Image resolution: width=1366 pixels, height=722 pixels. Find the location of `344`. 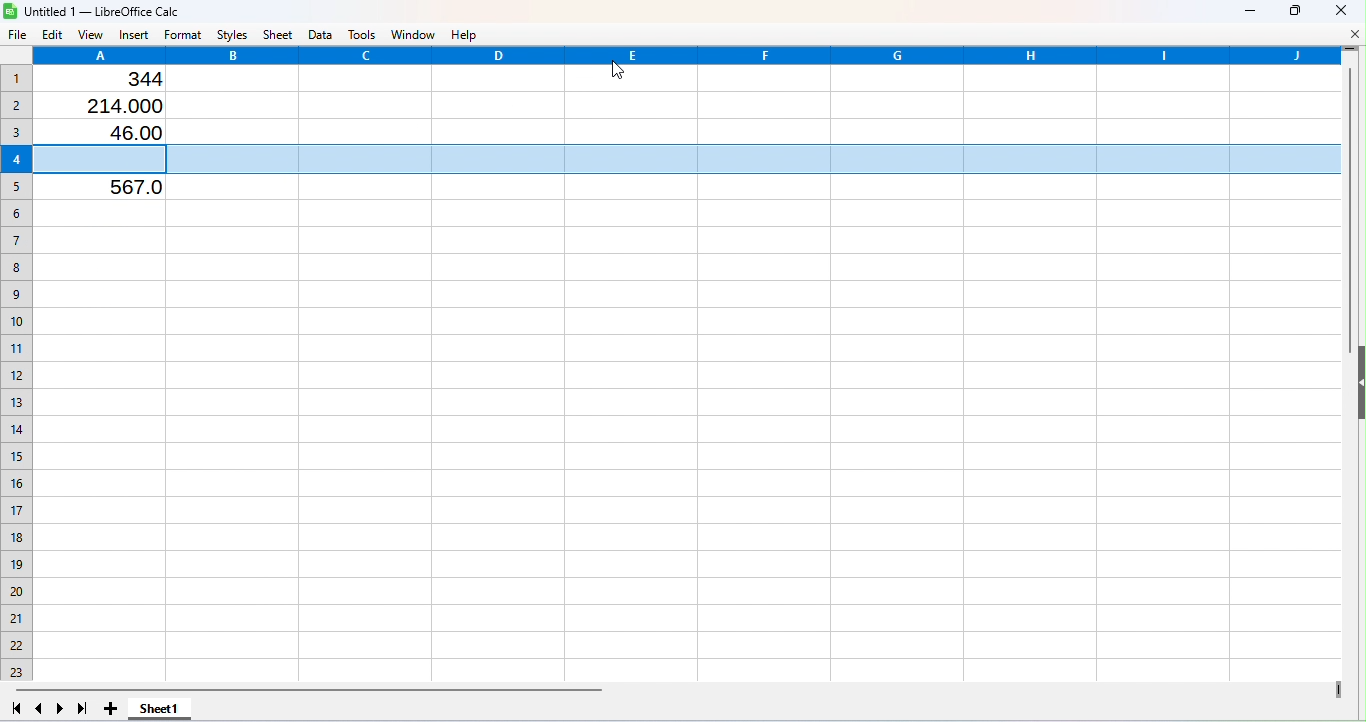

344 is located at coordinates (132, 80).